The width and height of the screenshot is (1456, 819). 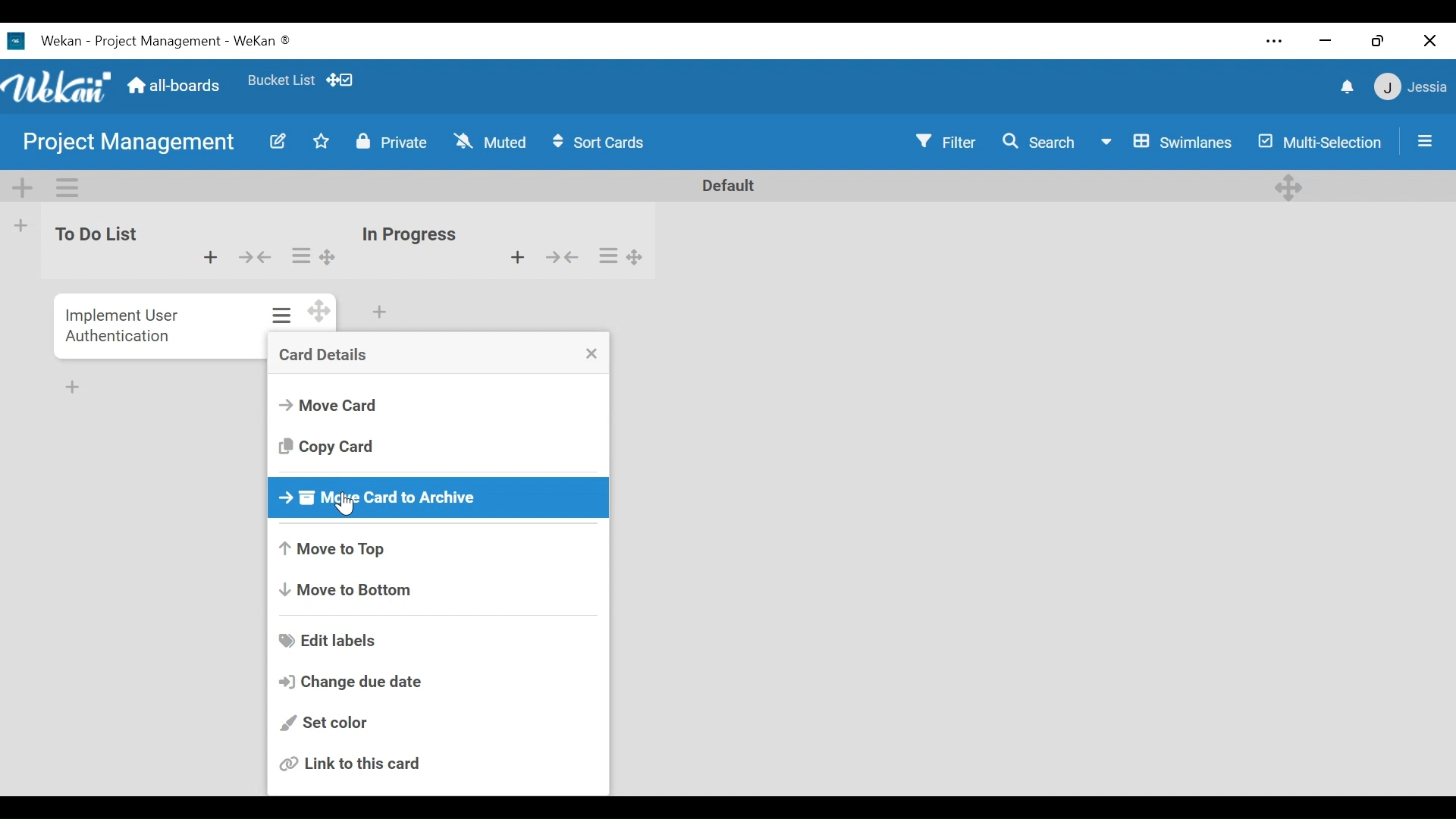 I want to click on Change Visibility, so click(x=391, y=142).